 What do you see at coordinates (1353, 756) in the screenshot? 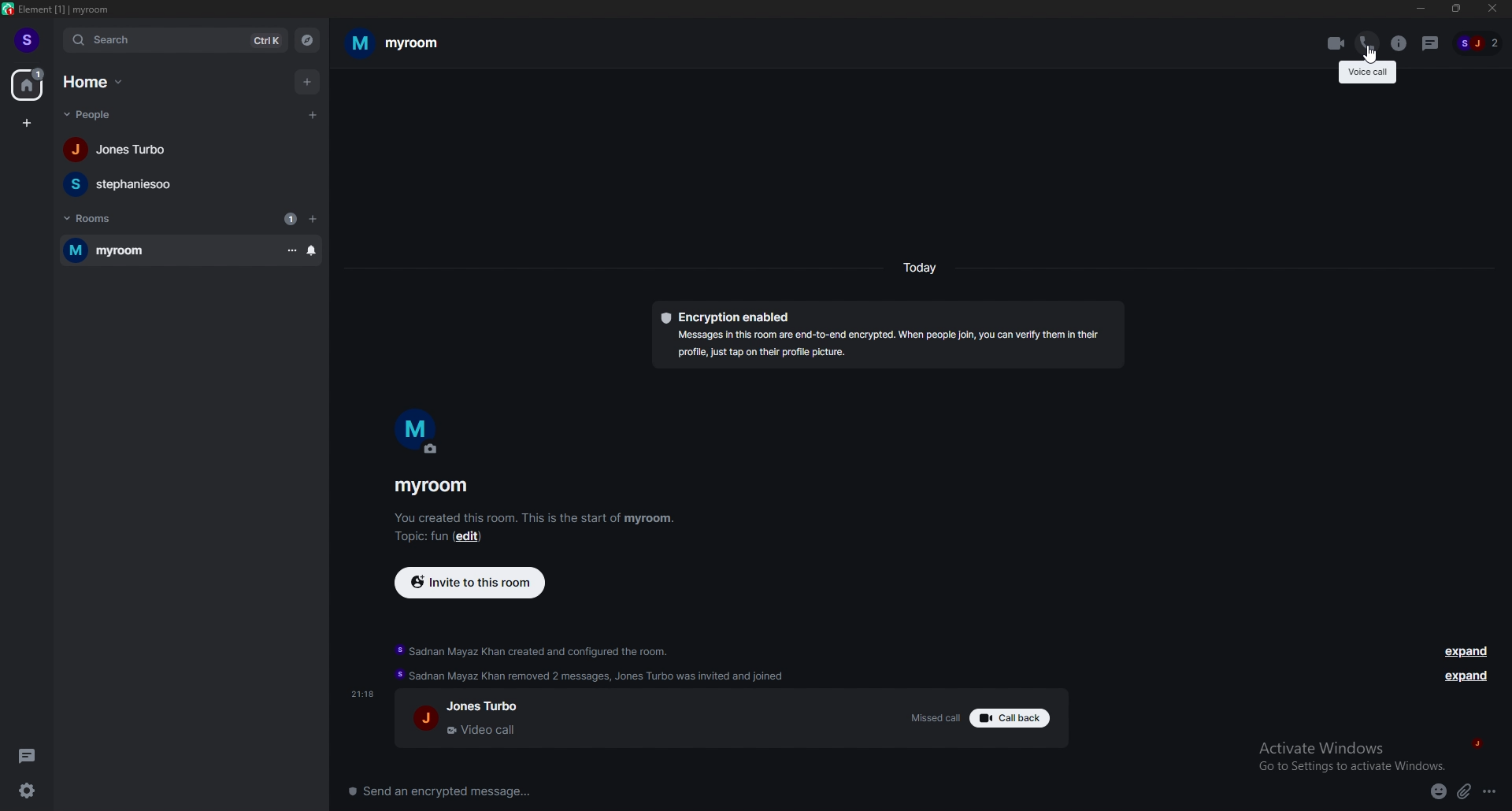
I see `Activate Windows
Go to Settings to activate Windows.` at bounding box center [1353, 756].